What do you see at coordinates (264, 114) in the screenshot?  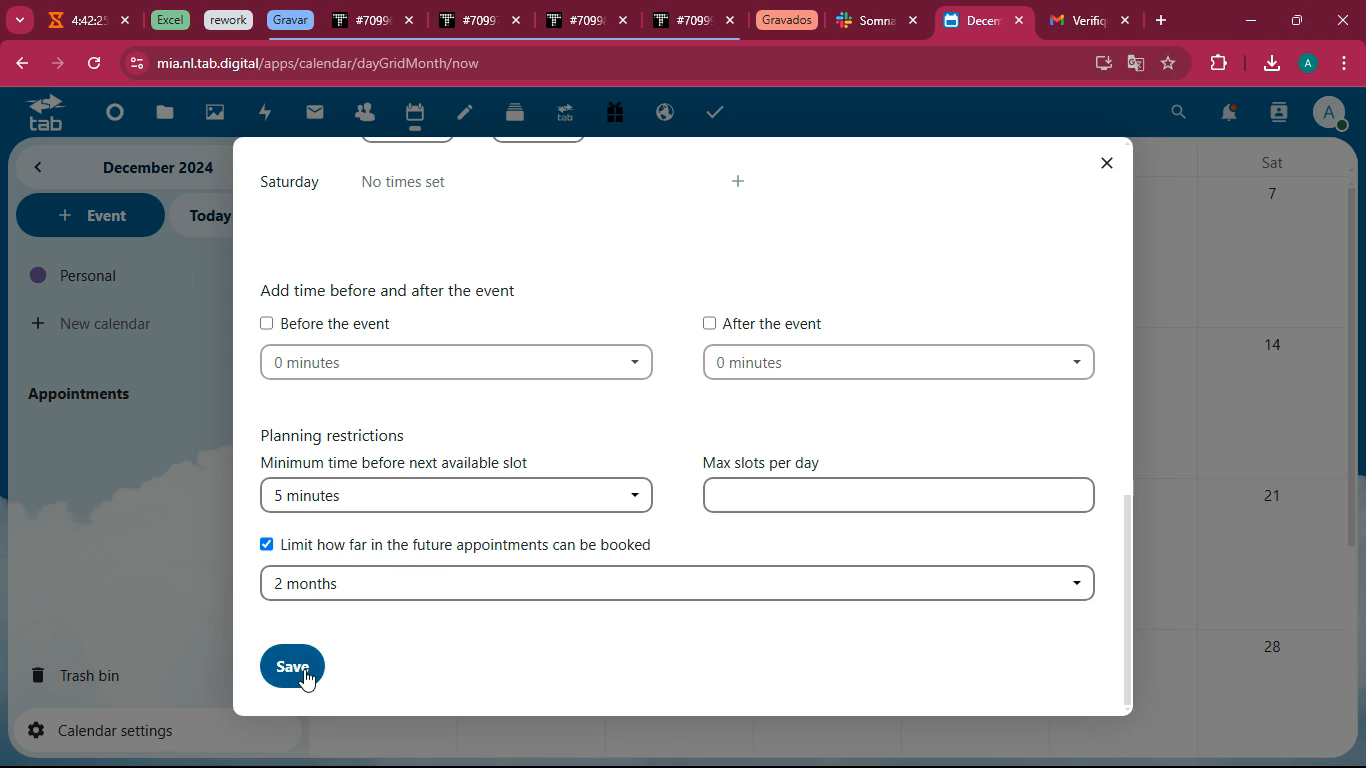 I see `charge` at bounding box center [264, 114].